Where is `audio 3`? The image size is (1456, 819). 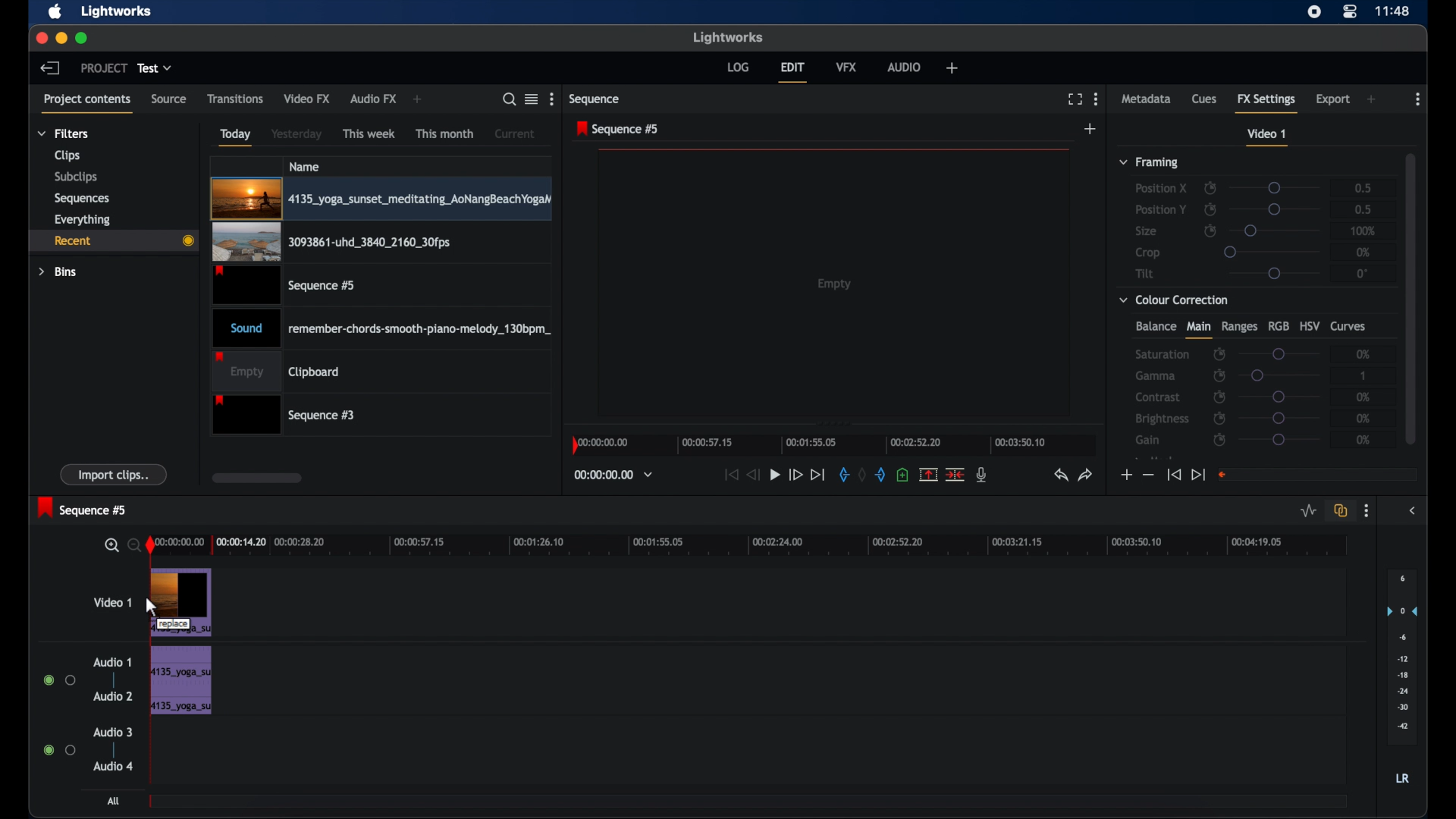 audio 3 is located at coordinates (112, 732).